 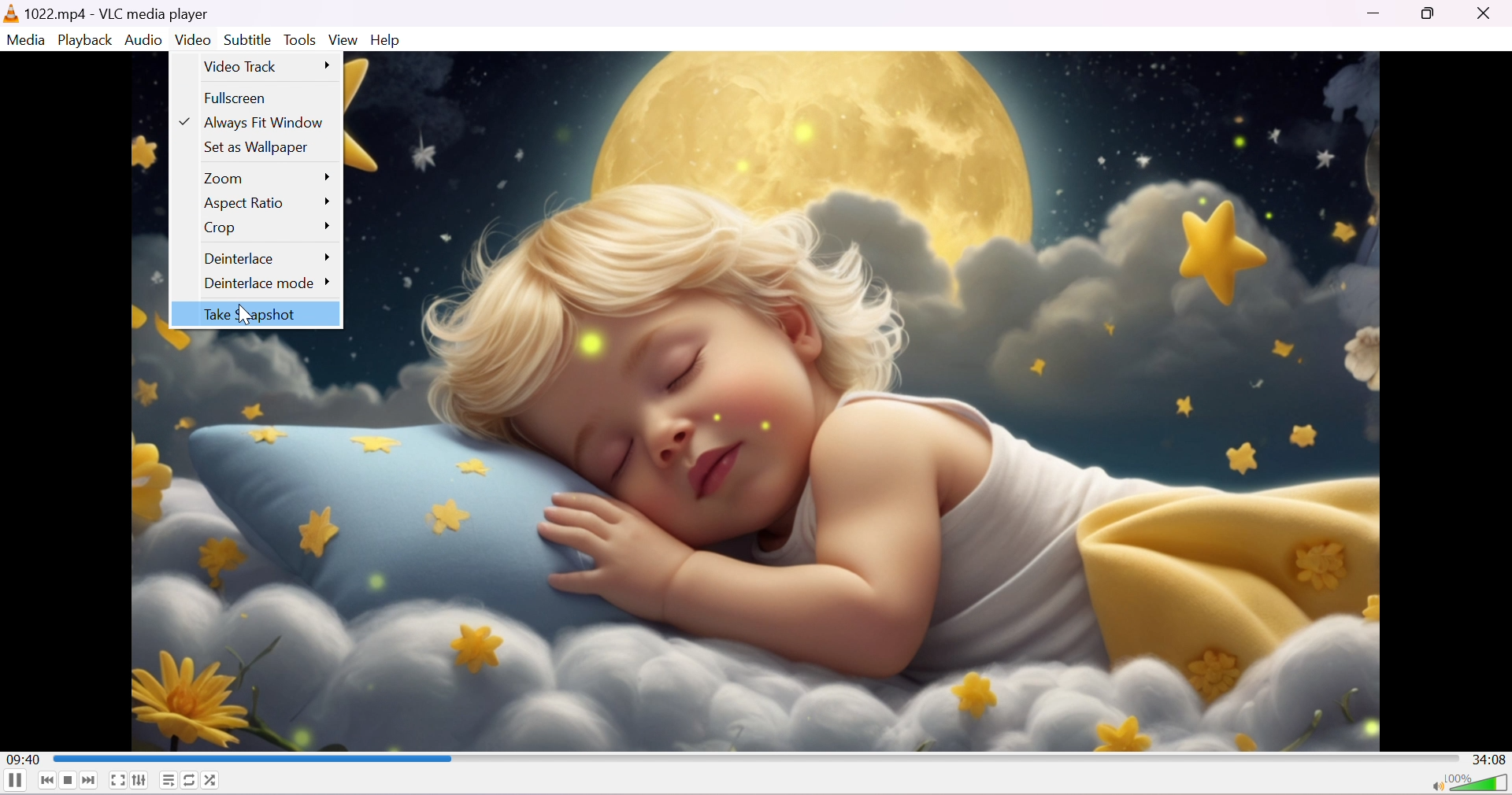 I want to click on 09:40, so click(x=22, y=760).